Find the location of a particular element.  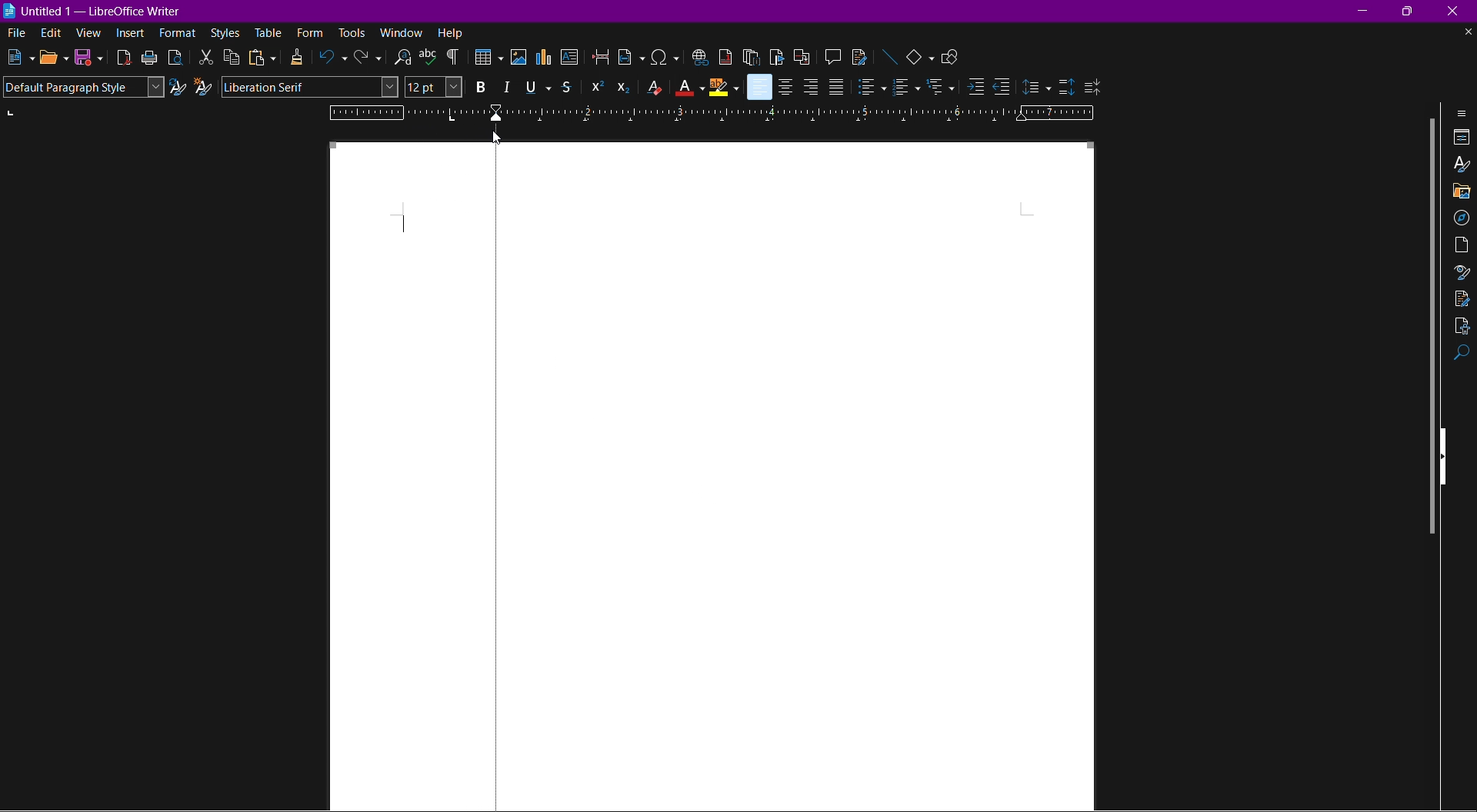

Superscript is located at coordinates (595, 86).